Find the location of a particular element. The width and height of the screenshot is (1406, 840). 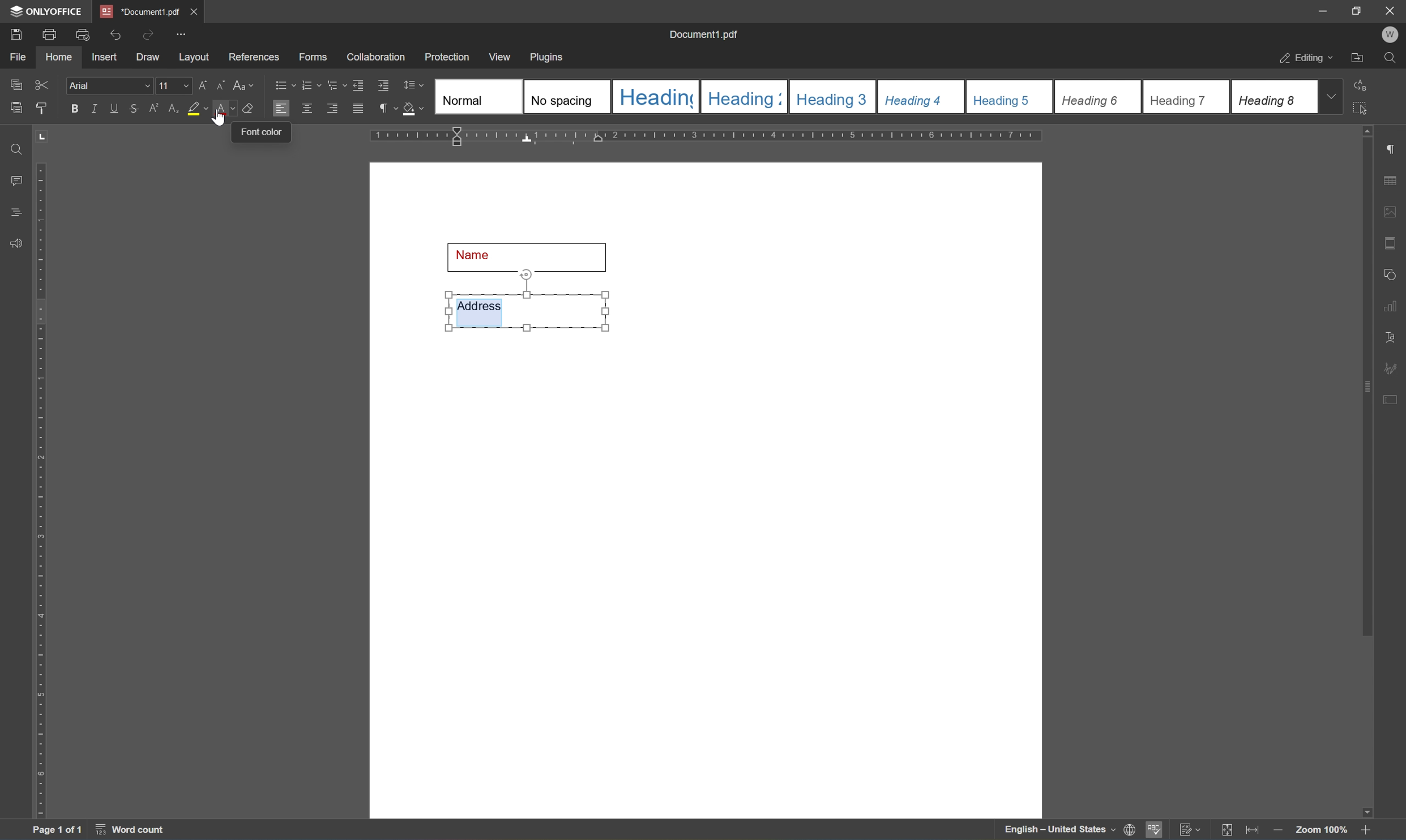

protection is located at coordinates (448, 56).